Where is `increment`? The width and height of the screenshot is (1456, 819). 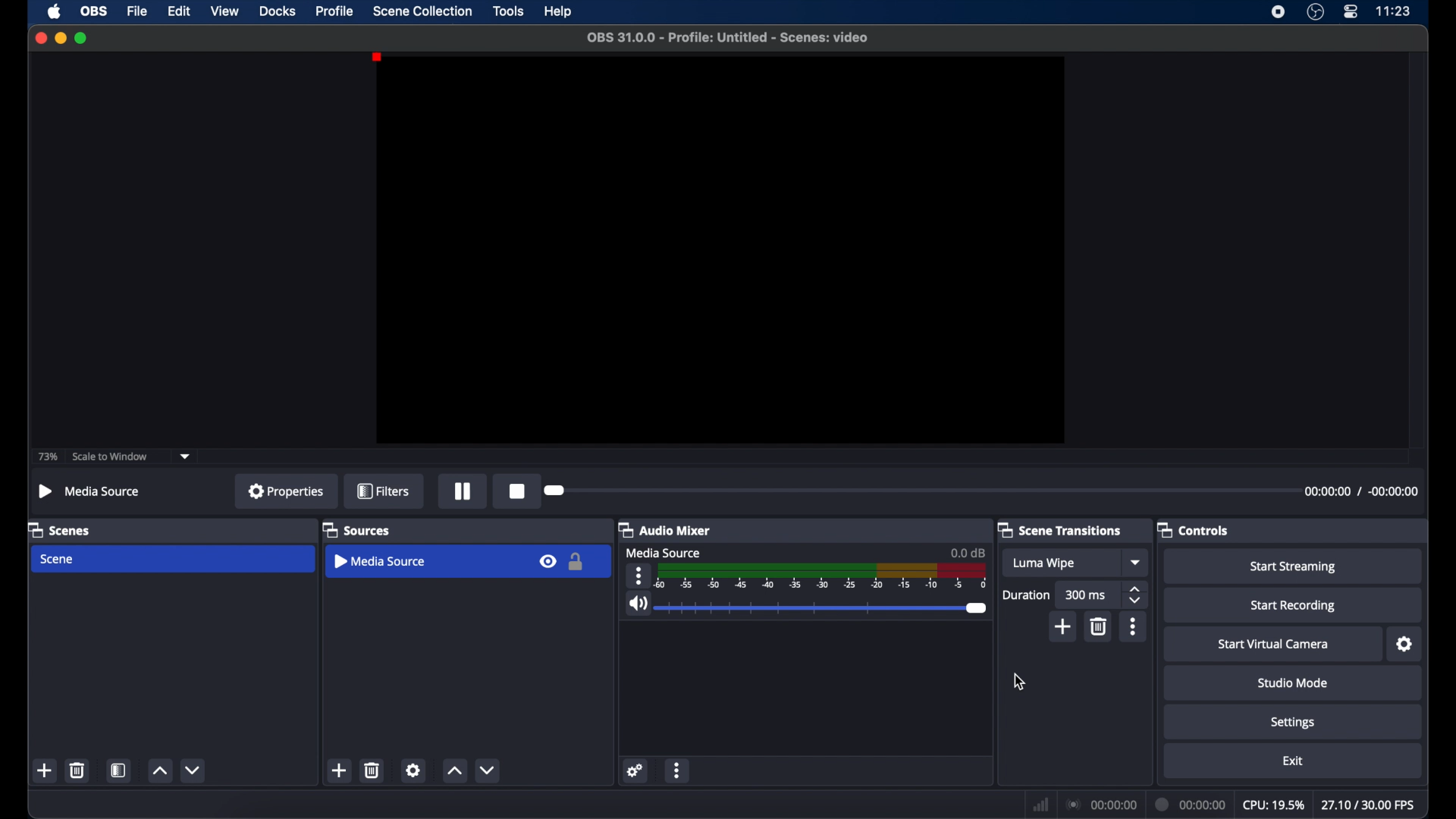
increment is located at coordinates (159, 771).